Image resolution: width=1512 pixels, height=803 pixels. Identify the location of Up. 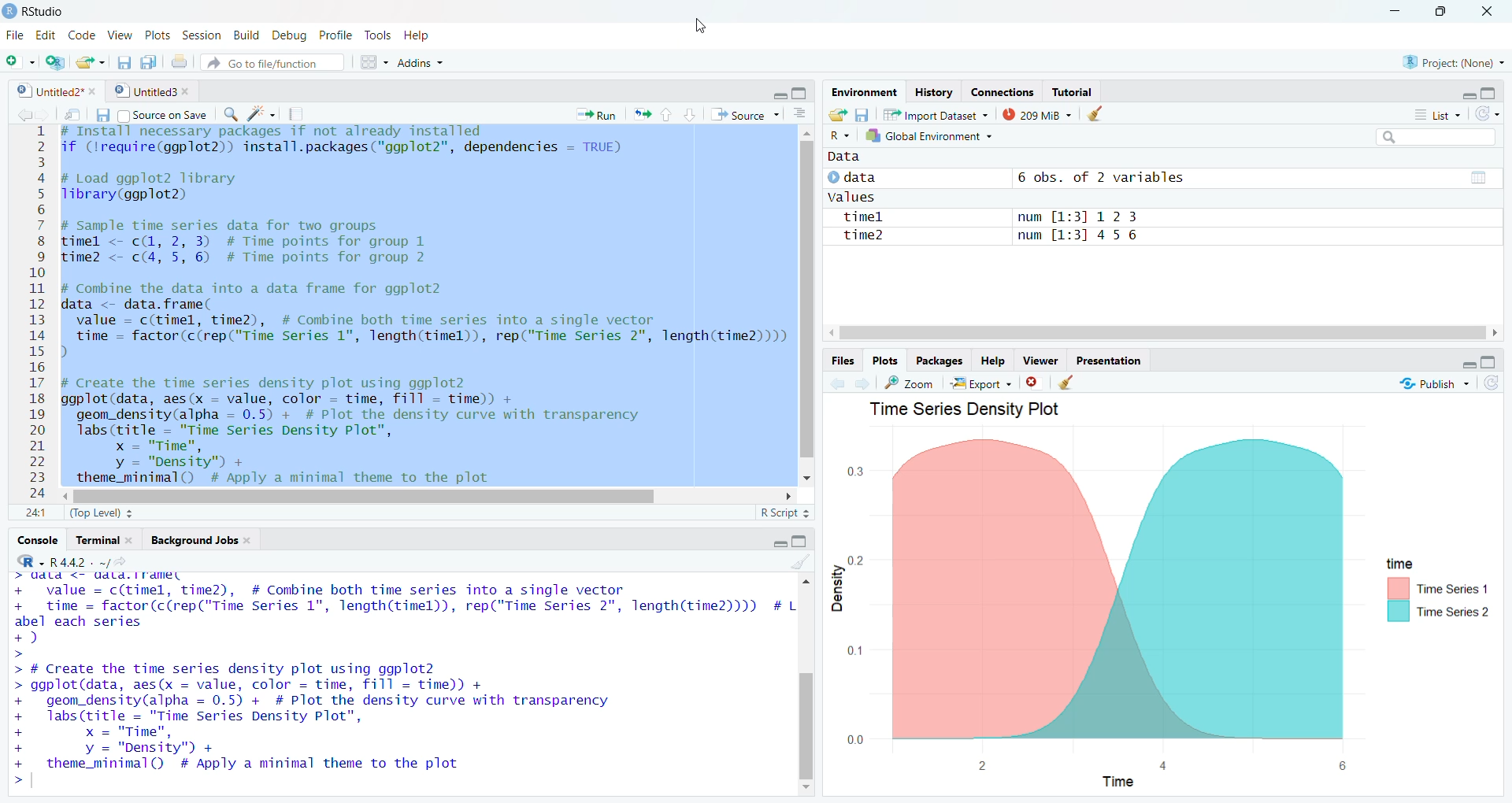
(665, 113).